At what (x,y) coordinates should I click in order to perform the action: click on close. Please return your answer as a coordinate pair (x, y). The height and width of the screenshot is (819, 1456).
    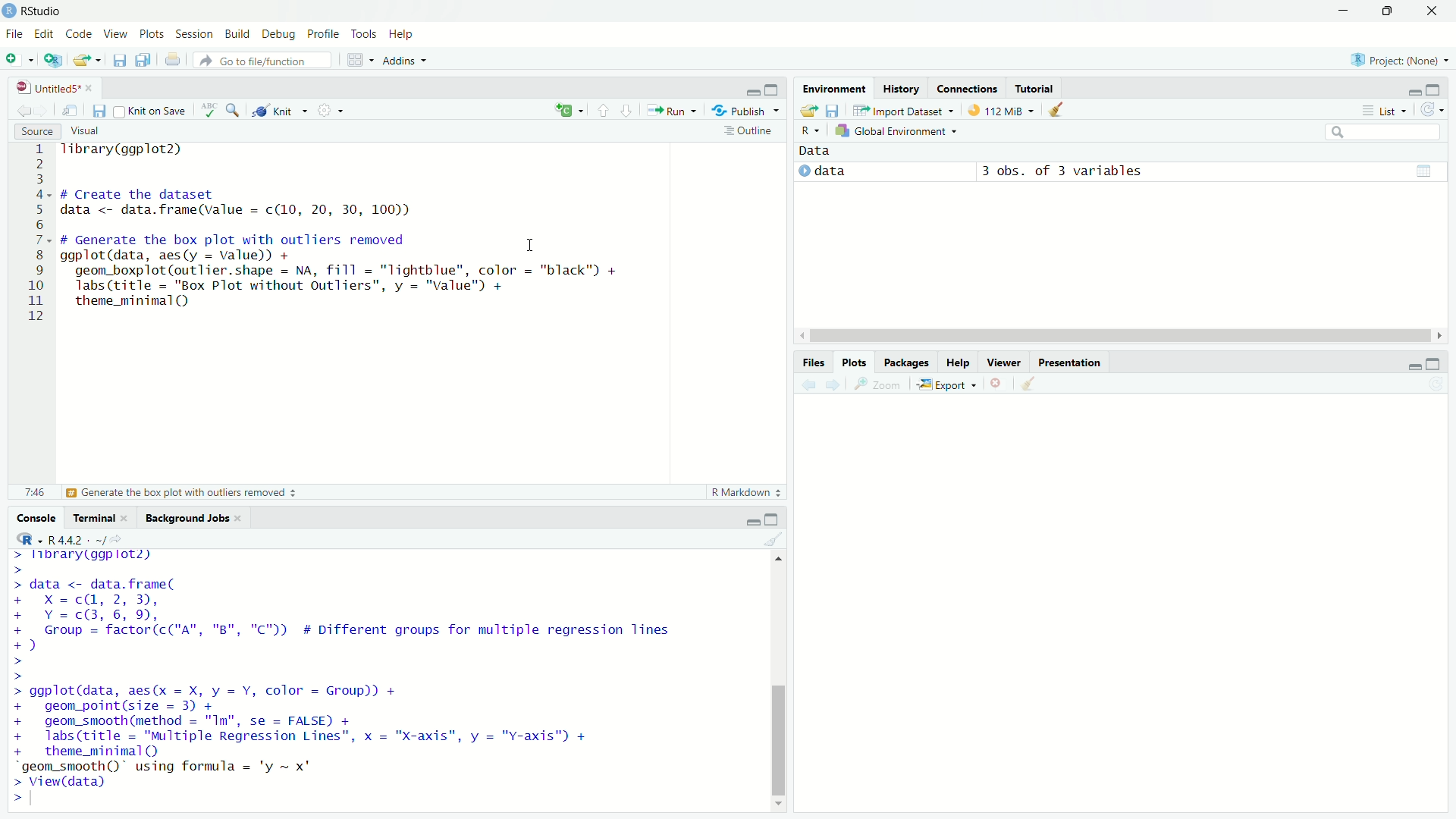
    Looking at the image, I should click on (996, 383).